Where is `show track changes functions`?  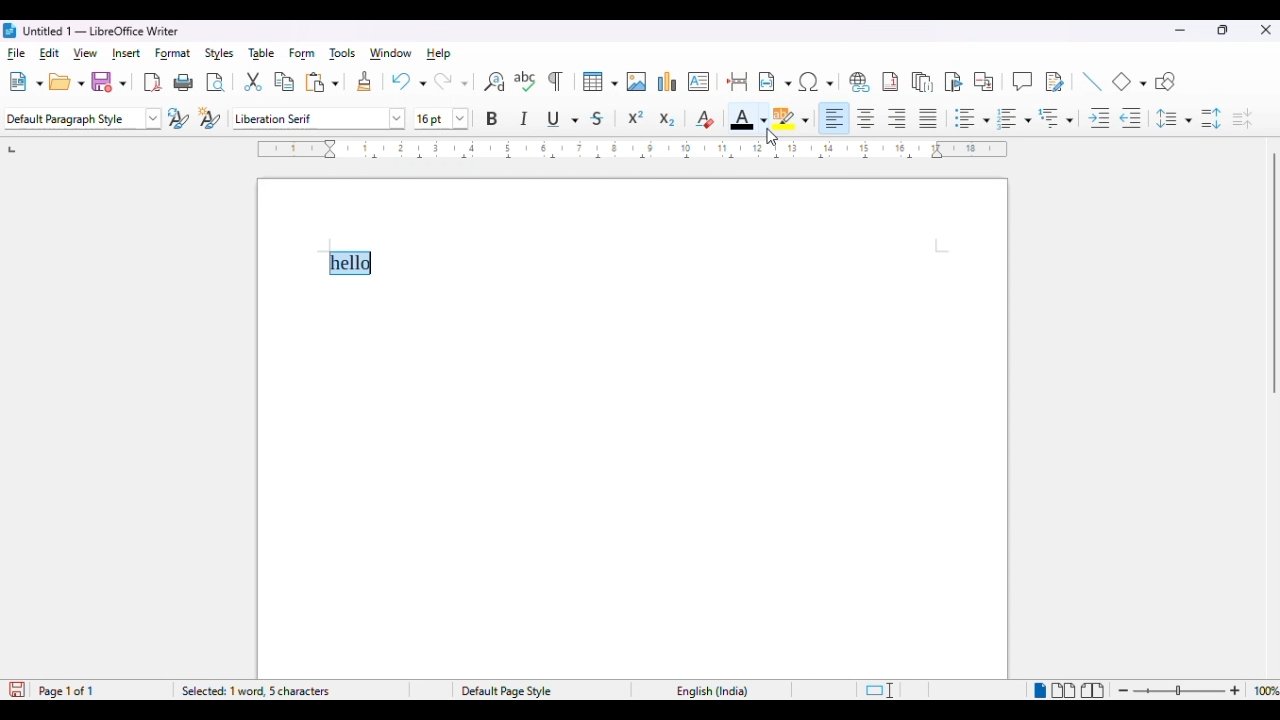
show track changes functions is located at coordinates (1054, 82).